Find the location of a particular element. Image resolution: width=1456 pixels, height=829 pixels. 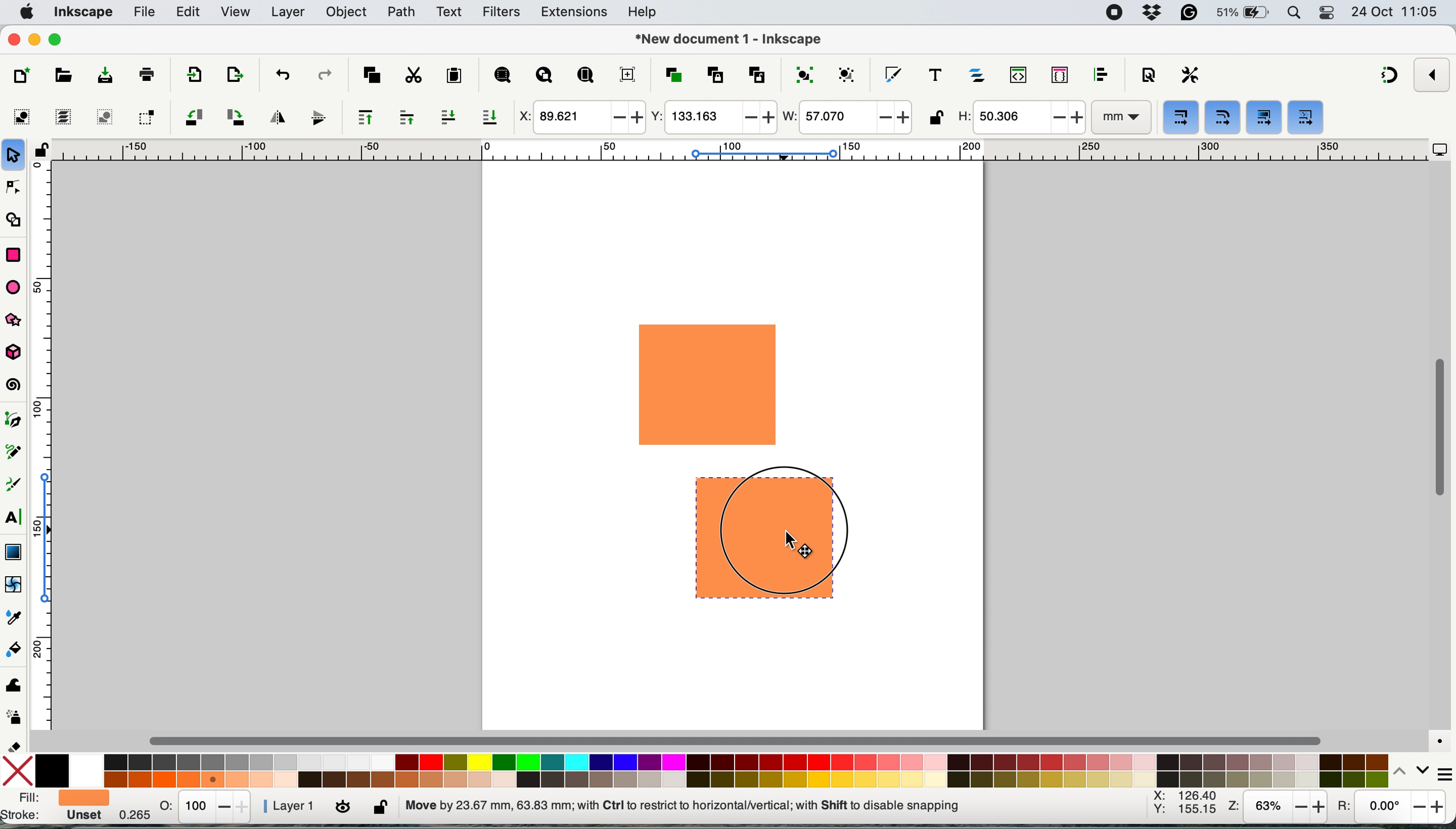

help is located at coordinates (646, 13).